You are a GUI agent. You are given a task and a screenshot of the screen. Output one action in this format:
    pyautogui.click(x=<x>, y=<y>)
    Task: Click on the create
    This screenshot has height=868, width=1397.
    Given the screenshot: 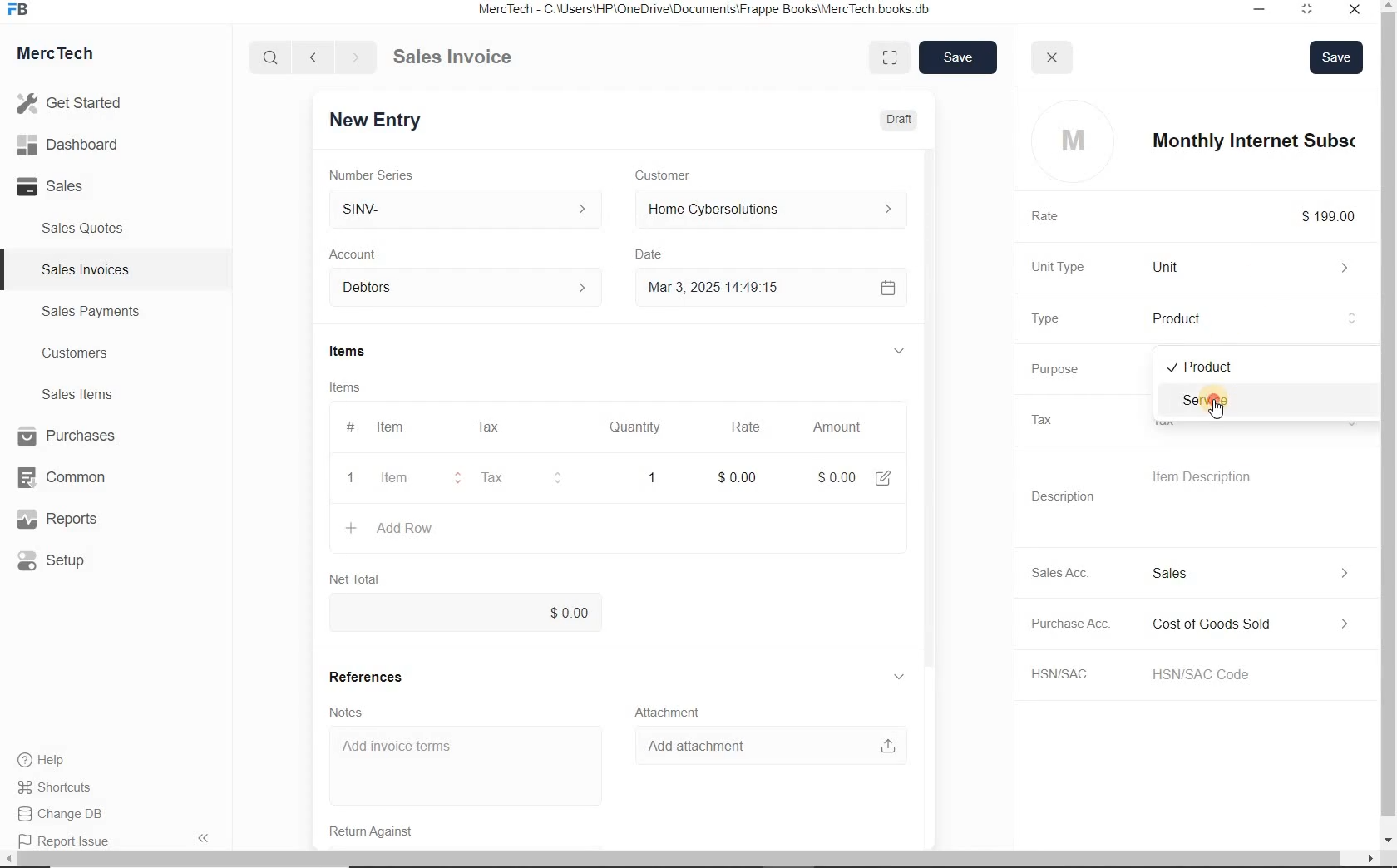 What is the action you would take?
    pyautogui.click(x=353, y=528)
    